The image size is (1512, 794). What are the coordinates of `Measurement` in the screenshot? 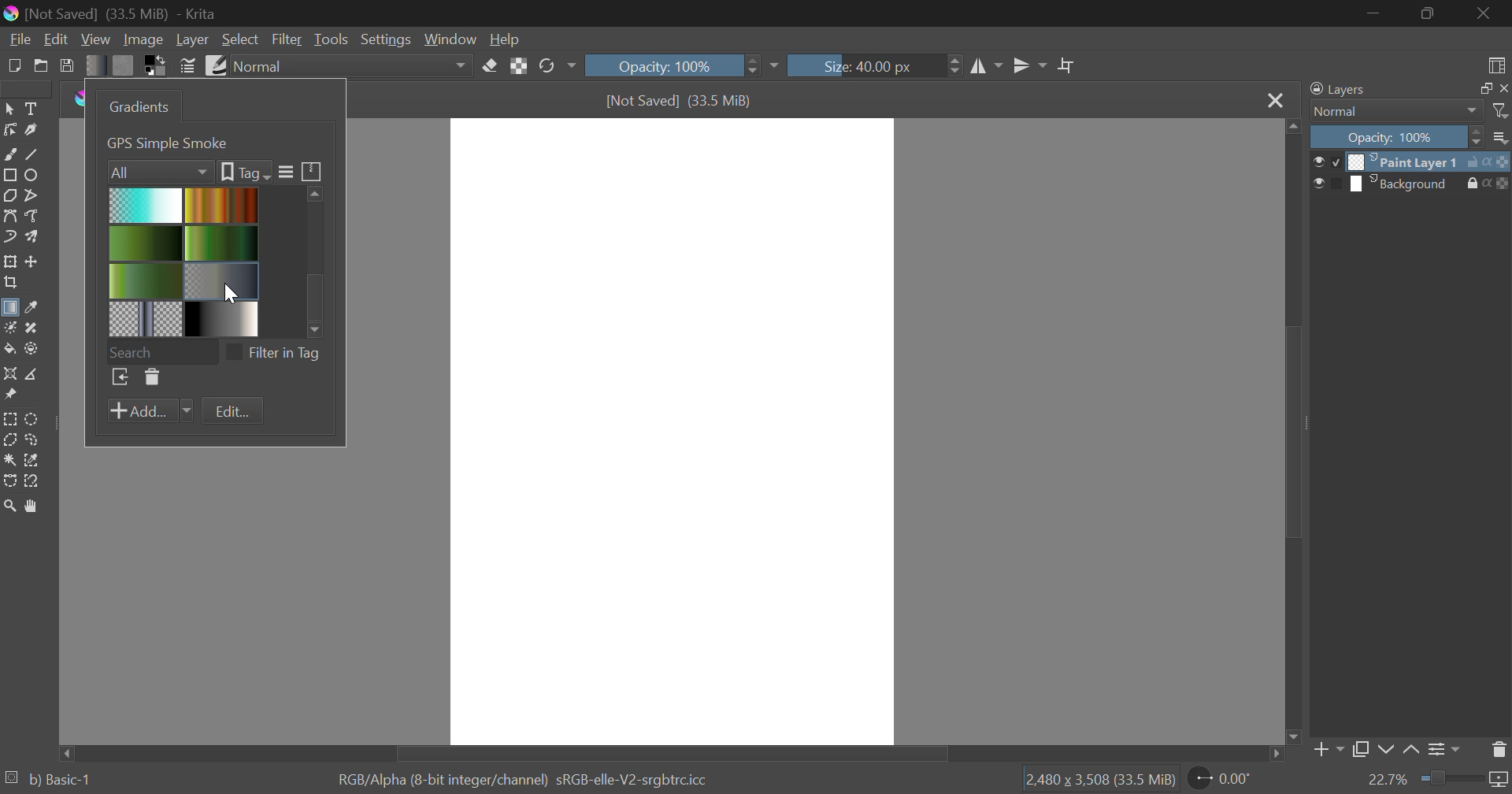 It's located at (32, 375).